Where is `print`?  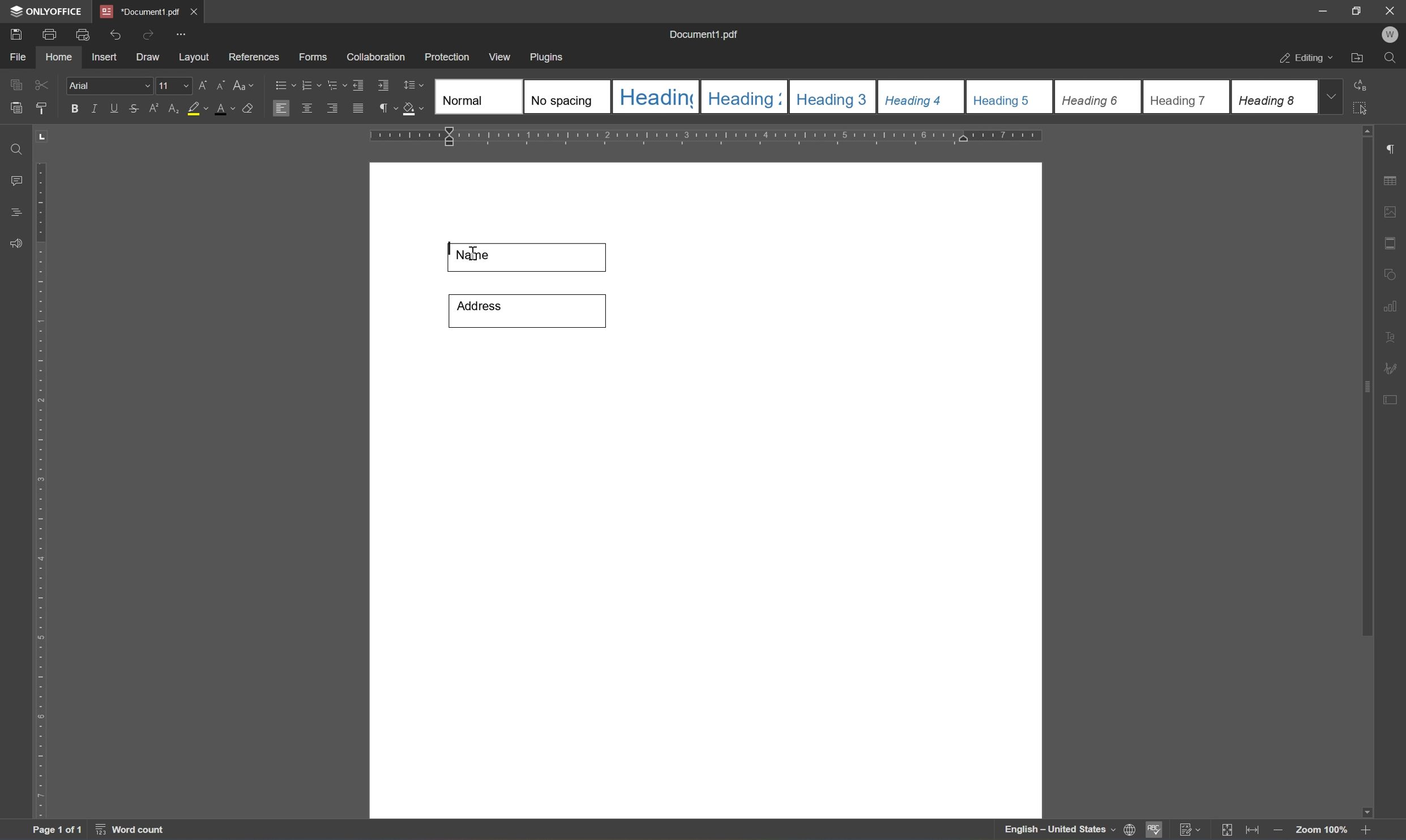
print is located at coordinates (47, 36).